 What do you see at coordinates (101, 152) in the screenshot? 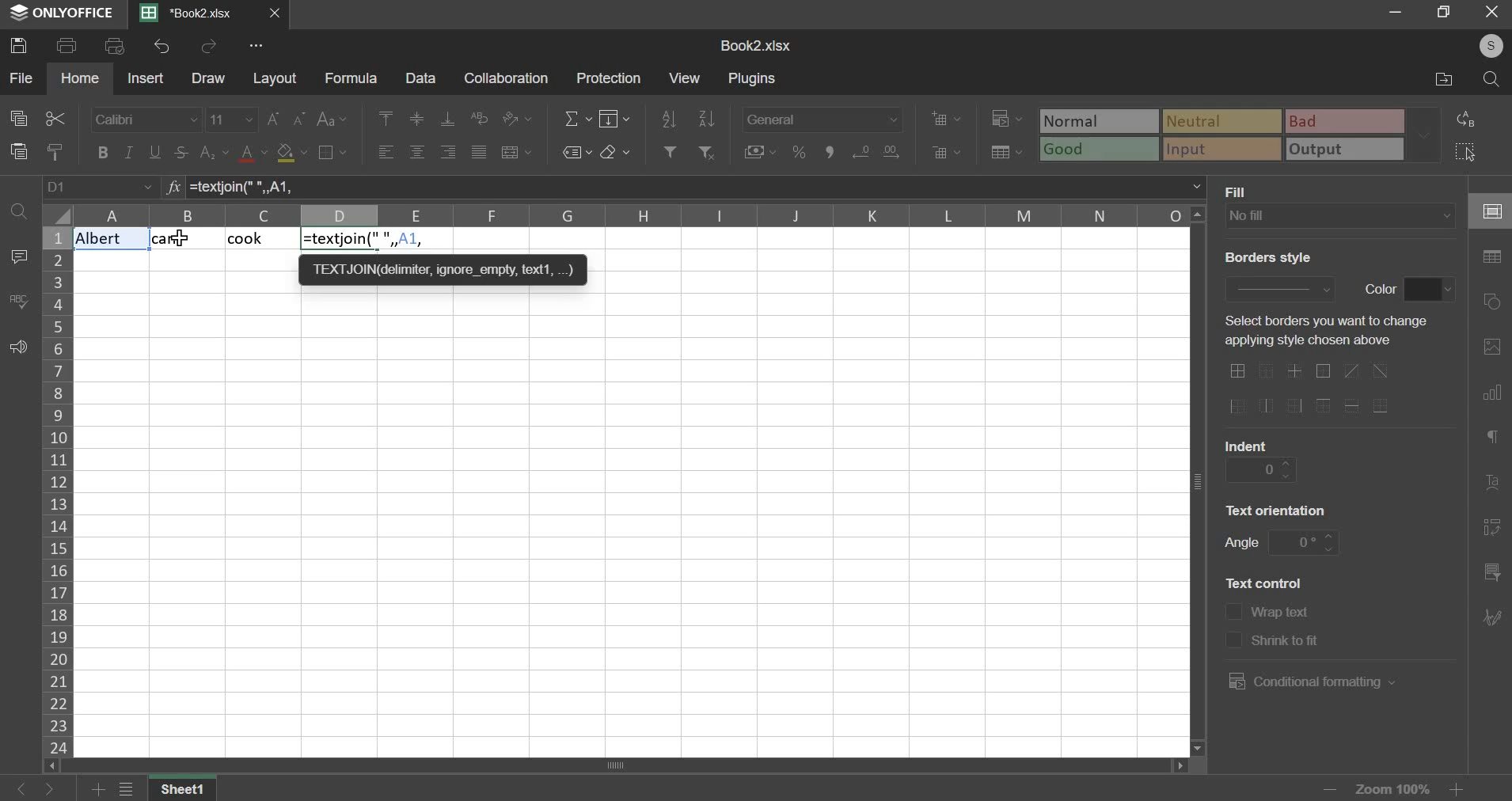
I see `bold` at bounding box center [101, 152].